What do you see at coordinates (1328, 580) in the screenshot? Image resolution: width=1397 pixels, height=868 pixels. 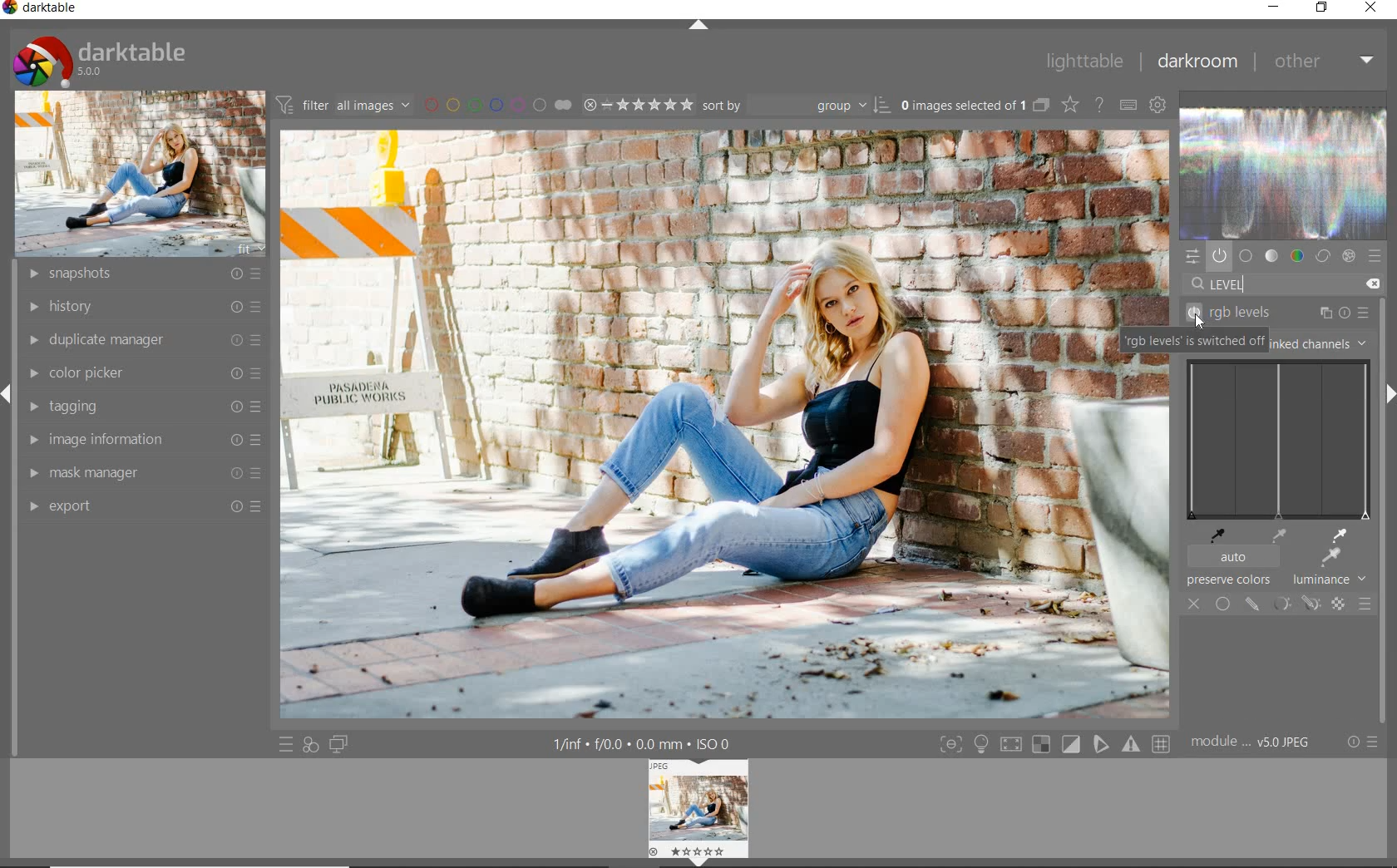 I see `luminance` at bounding box center [1328, 580].